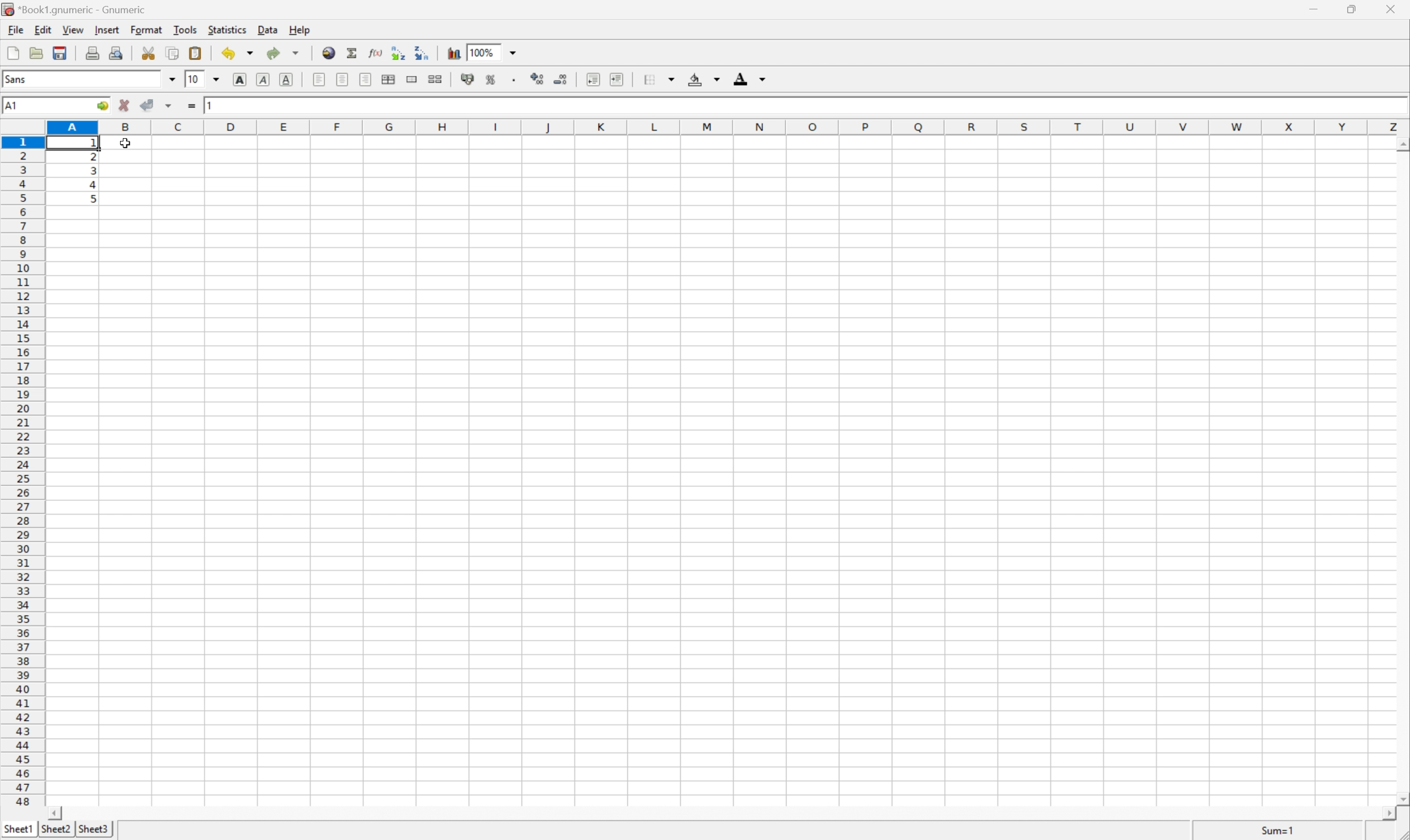 The width and height of the screenshot is (1410, 840). Describe the element at coordinates (15, 31) in the screenshot. I see `File` at that location.